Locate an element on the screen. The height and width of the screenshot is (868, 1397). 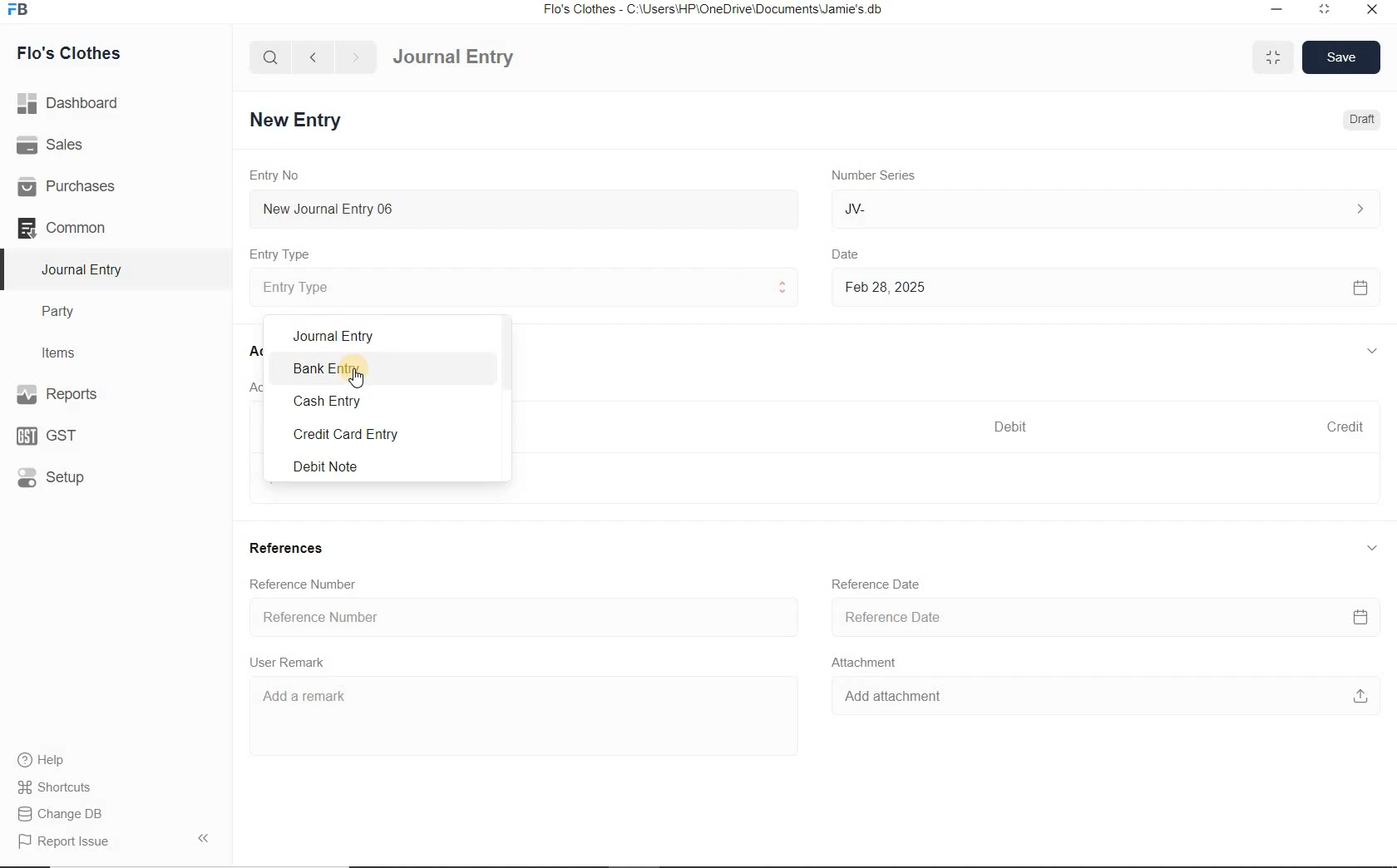
Add attachment is located at coordinates (1105, 697).